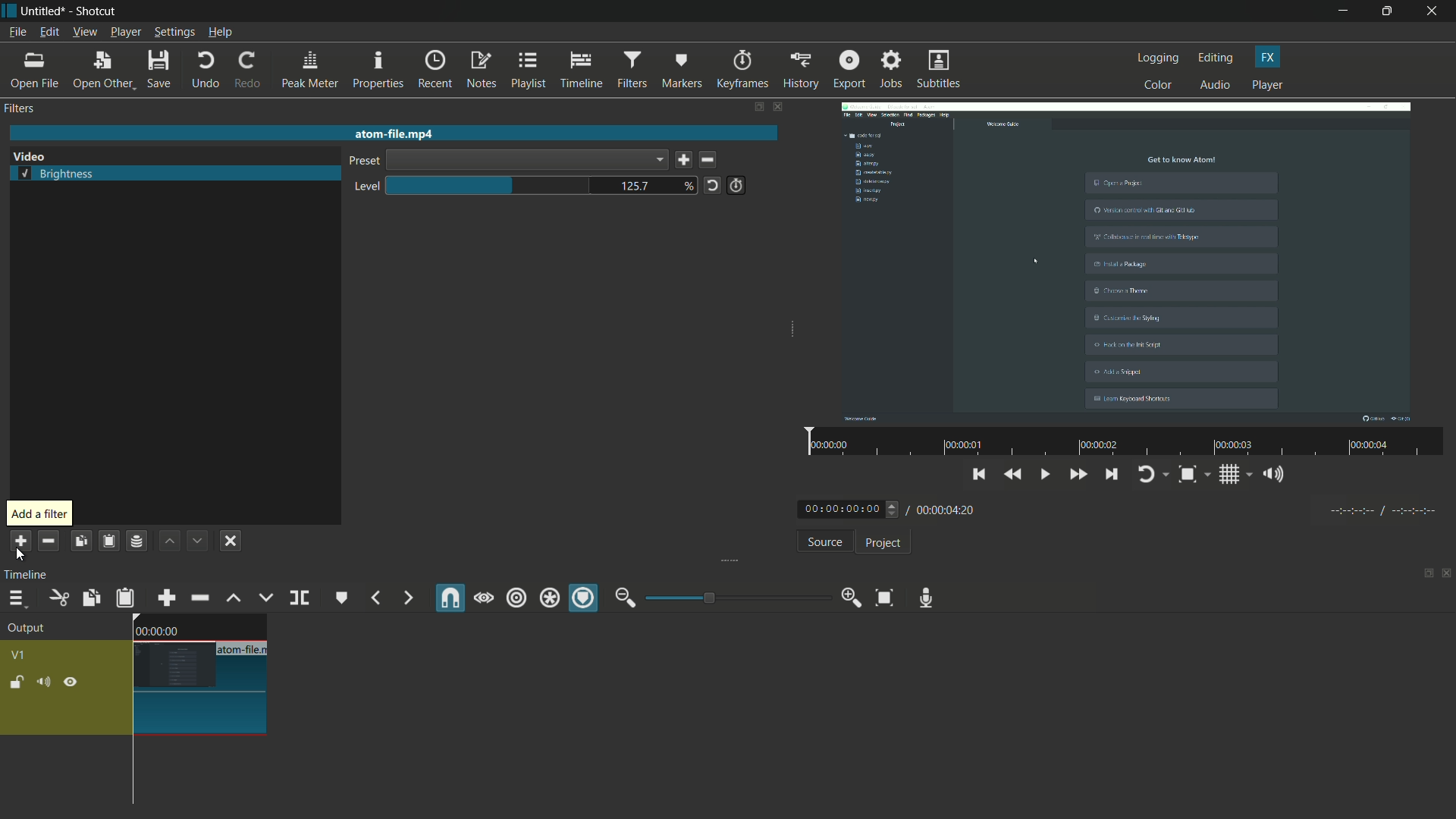  Describe the element at coordinates (97, 12) in the screenshot. I see `Shotcut` at that location.